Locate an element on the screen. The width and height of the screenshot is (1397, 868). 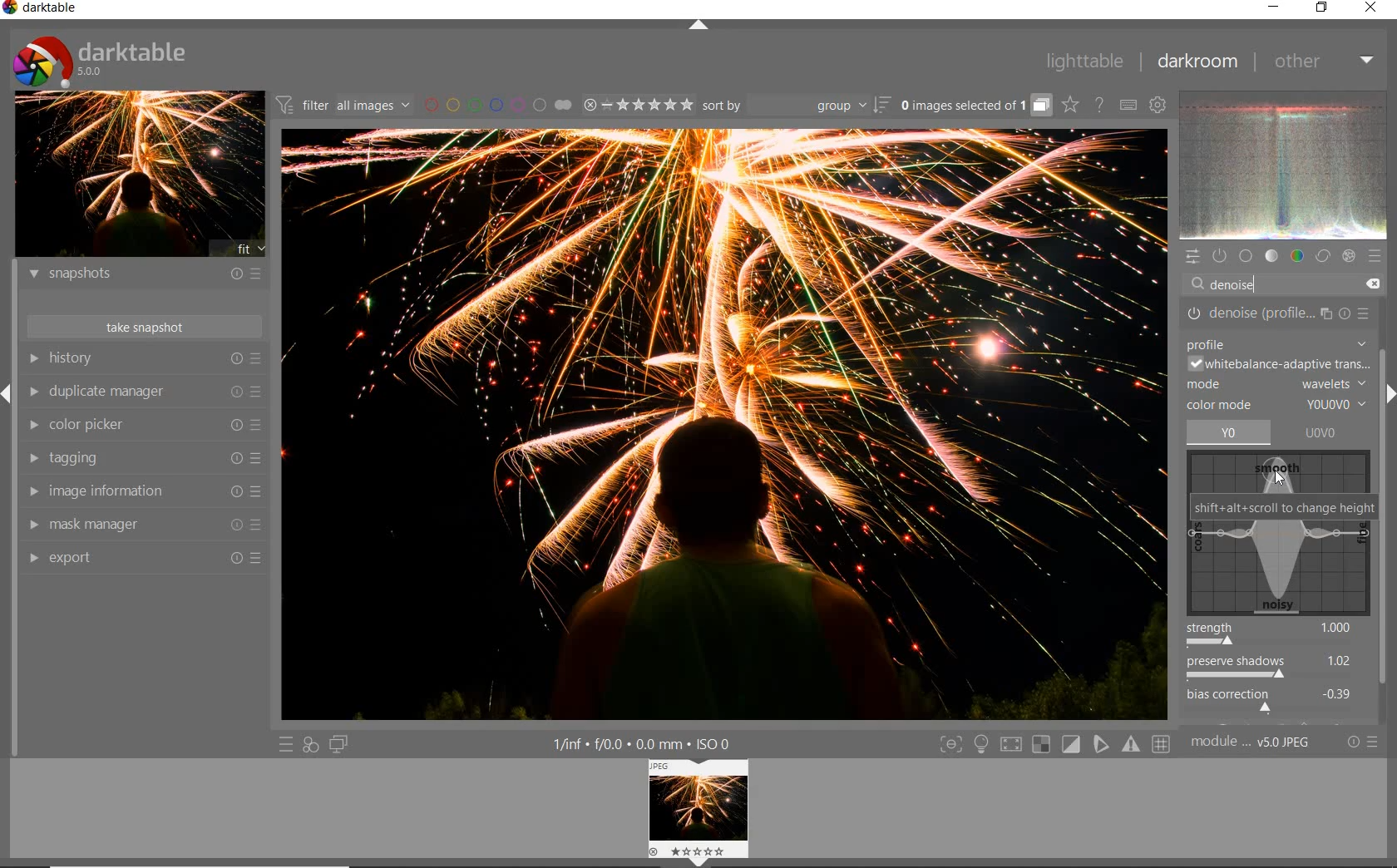
effect is located at coordinates (1349, 257).